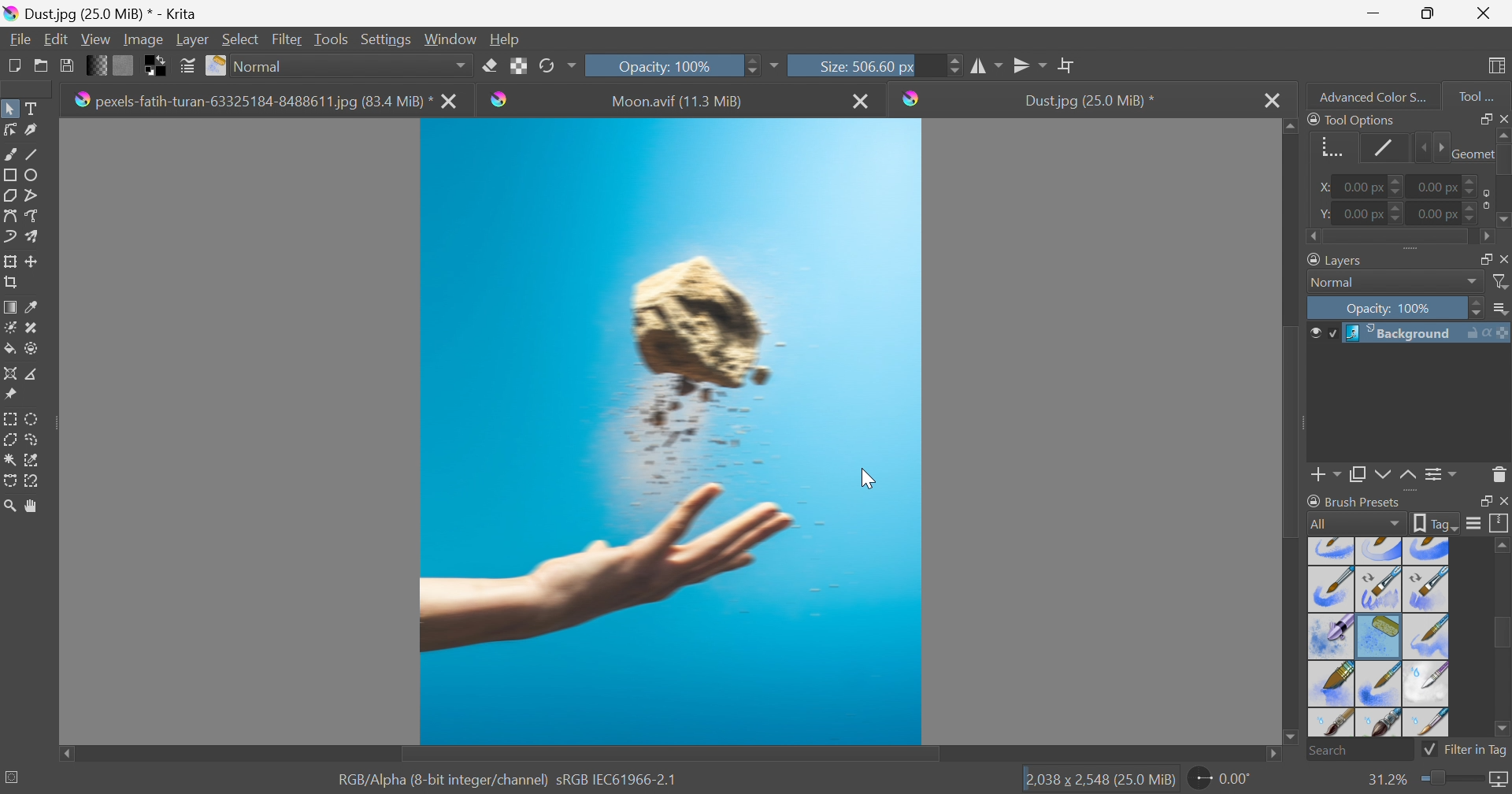  What do you see at coordinates (508, 778) in the screenshot?
I see `RGB Alpha (8-bit integer/channel) sRGB IEC61966-2.1` at bounding box center [508, 778].